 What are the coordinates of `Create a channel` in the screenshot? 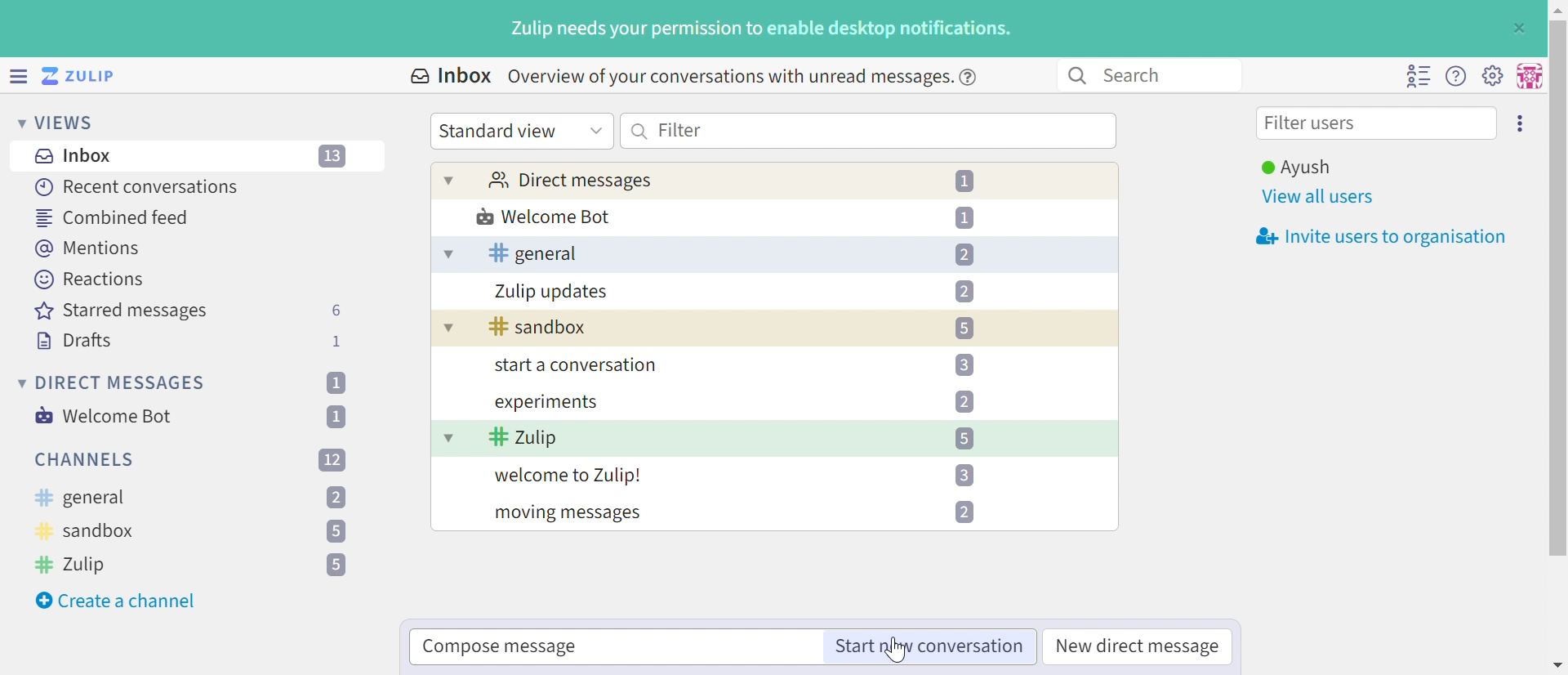 It's located at (118, 601).